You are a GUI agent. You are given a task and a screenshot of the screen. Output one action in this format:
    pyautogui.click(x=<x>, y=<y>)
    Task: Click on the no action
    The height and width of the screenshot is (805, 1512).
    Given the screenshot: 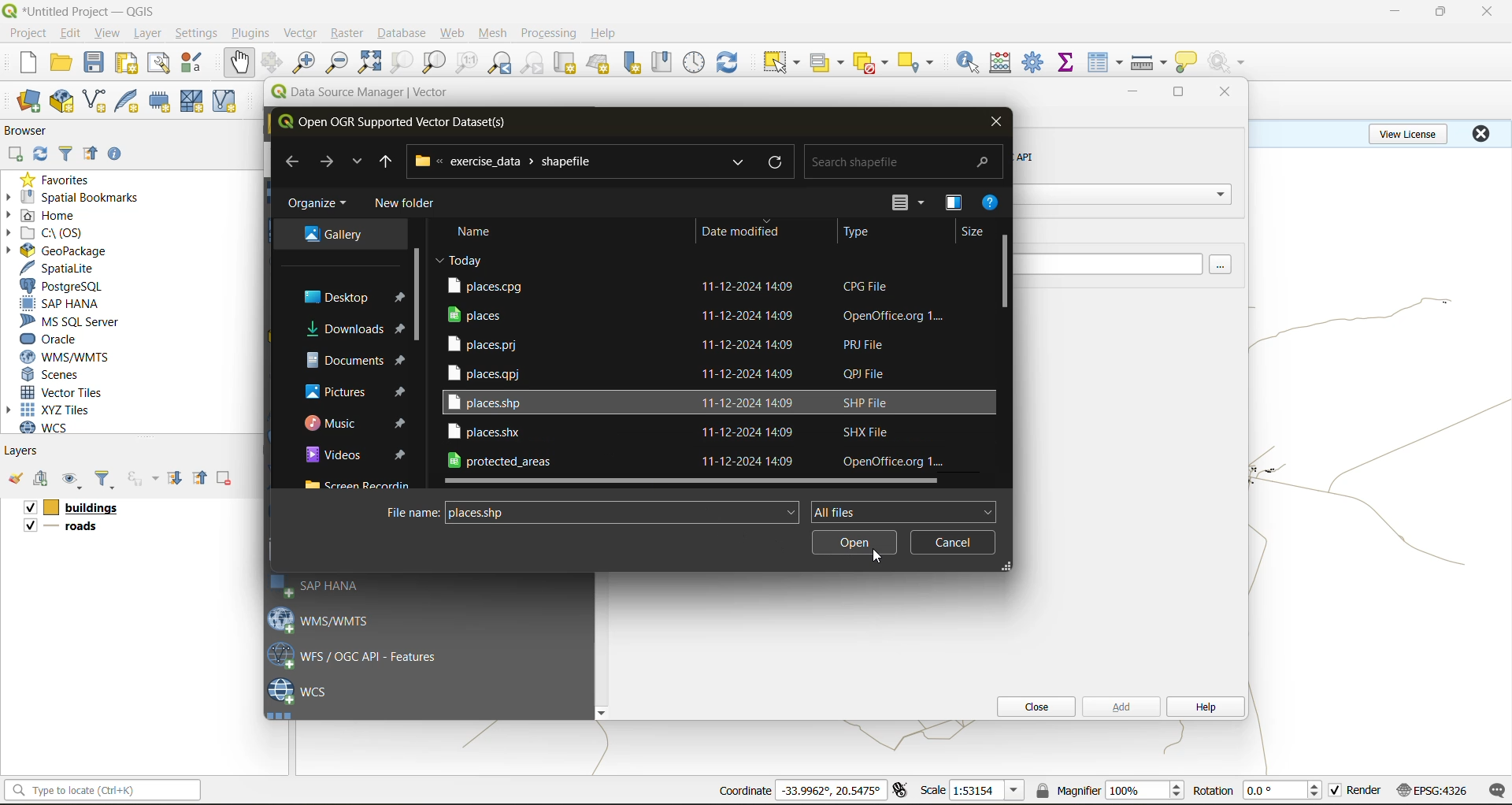 What is the action you would take?
    pyautogui.click(x=1229, y=62)
    